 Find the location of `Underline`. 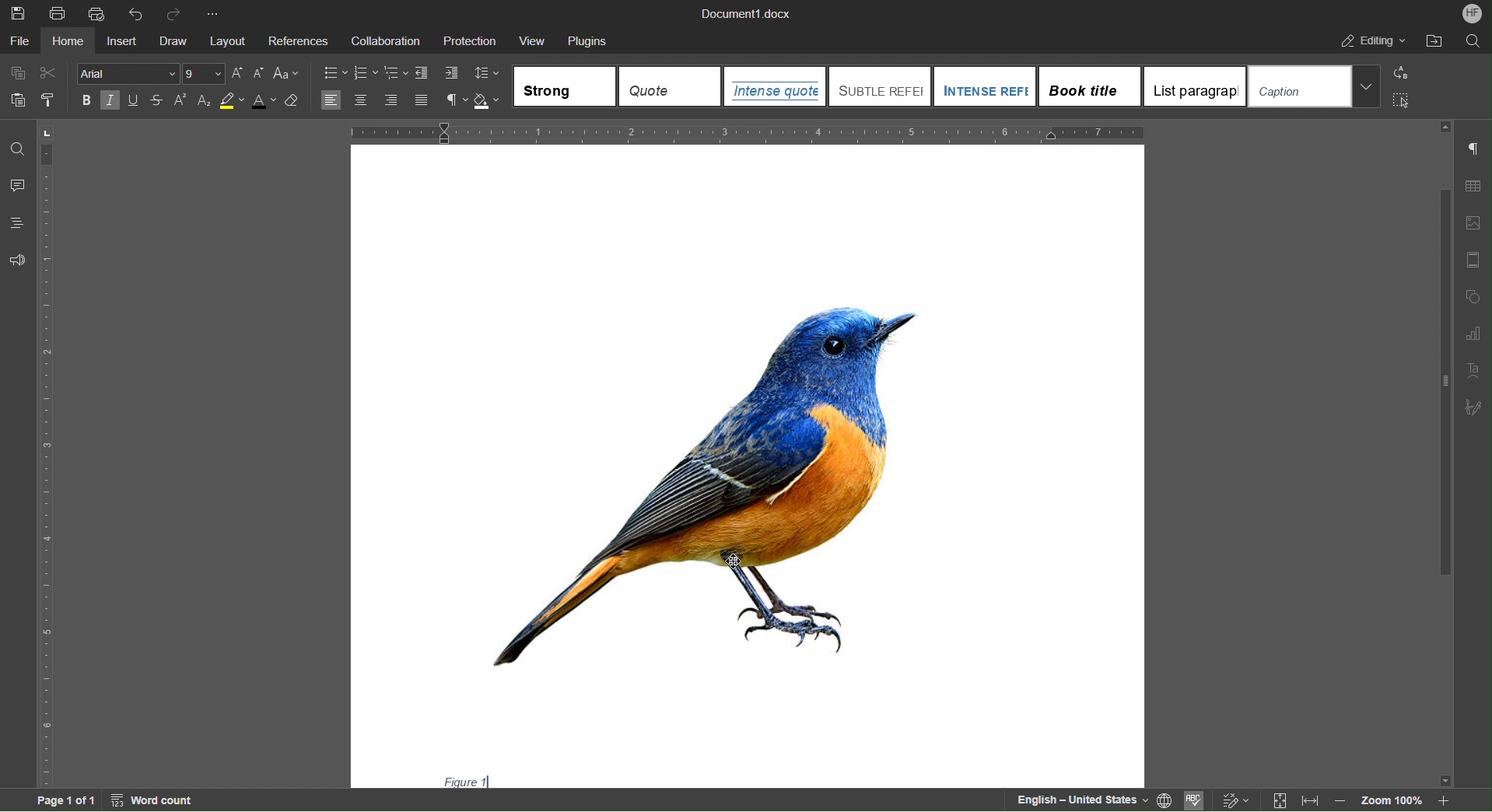

Underline is located at coordinates (133, 101).